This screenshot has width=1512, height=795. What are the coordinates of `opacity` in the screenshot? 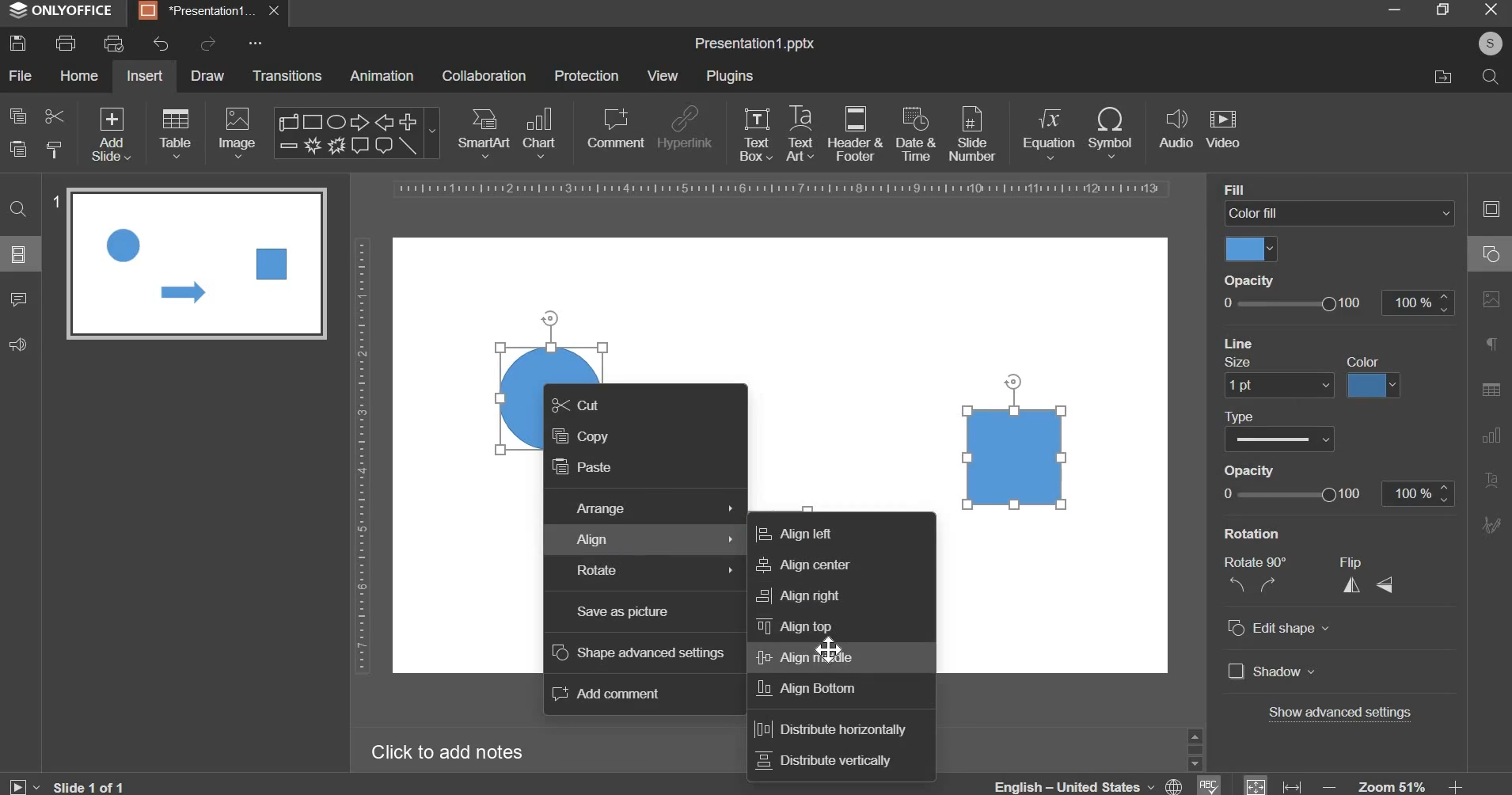 It's located at (1256, 278).